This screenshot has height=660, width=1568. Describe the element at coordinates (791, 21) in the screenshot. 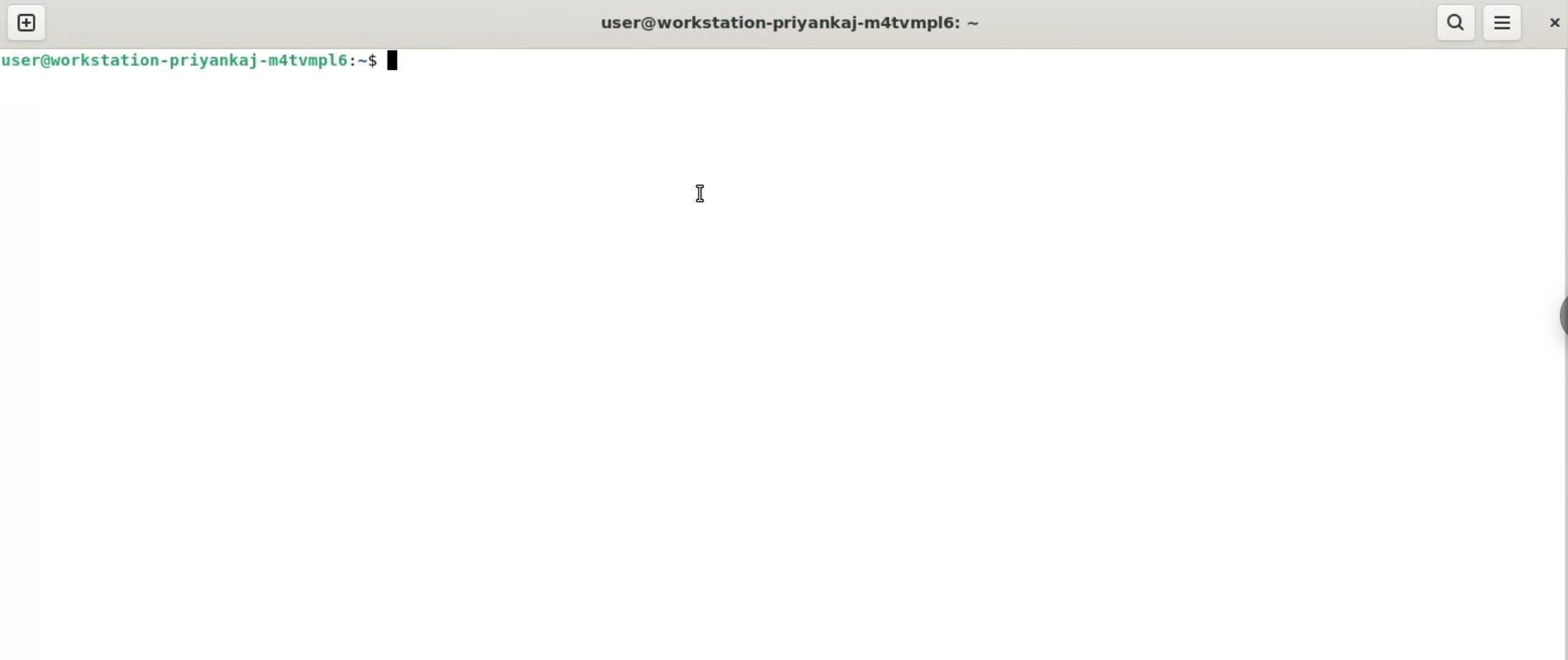

I see `user@workstation-priyankaj-m4tvmpl6:` at that location.